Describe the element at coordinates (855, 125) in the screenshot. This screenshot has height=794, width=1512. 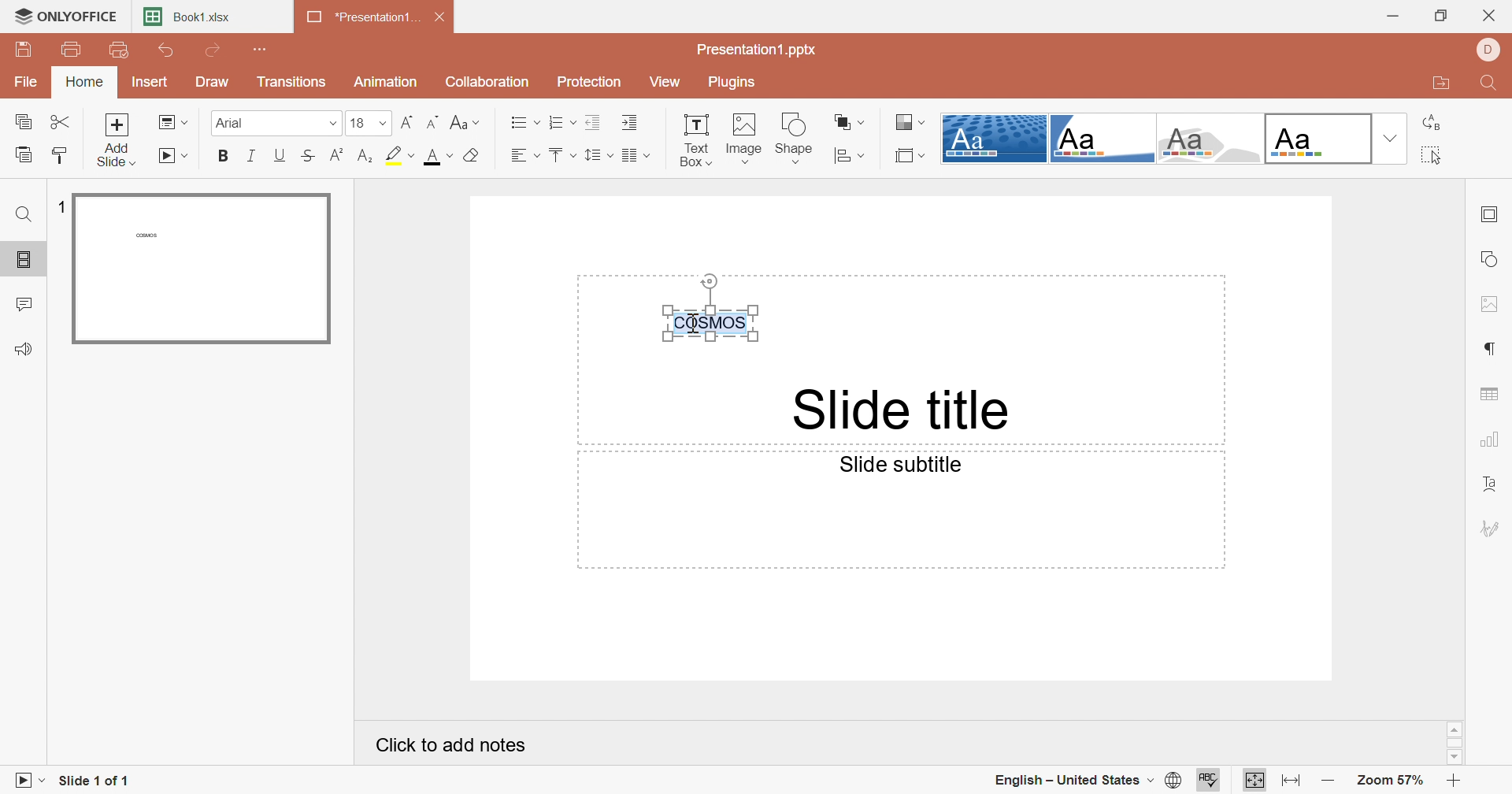
I see `Arrange shape` at that location.